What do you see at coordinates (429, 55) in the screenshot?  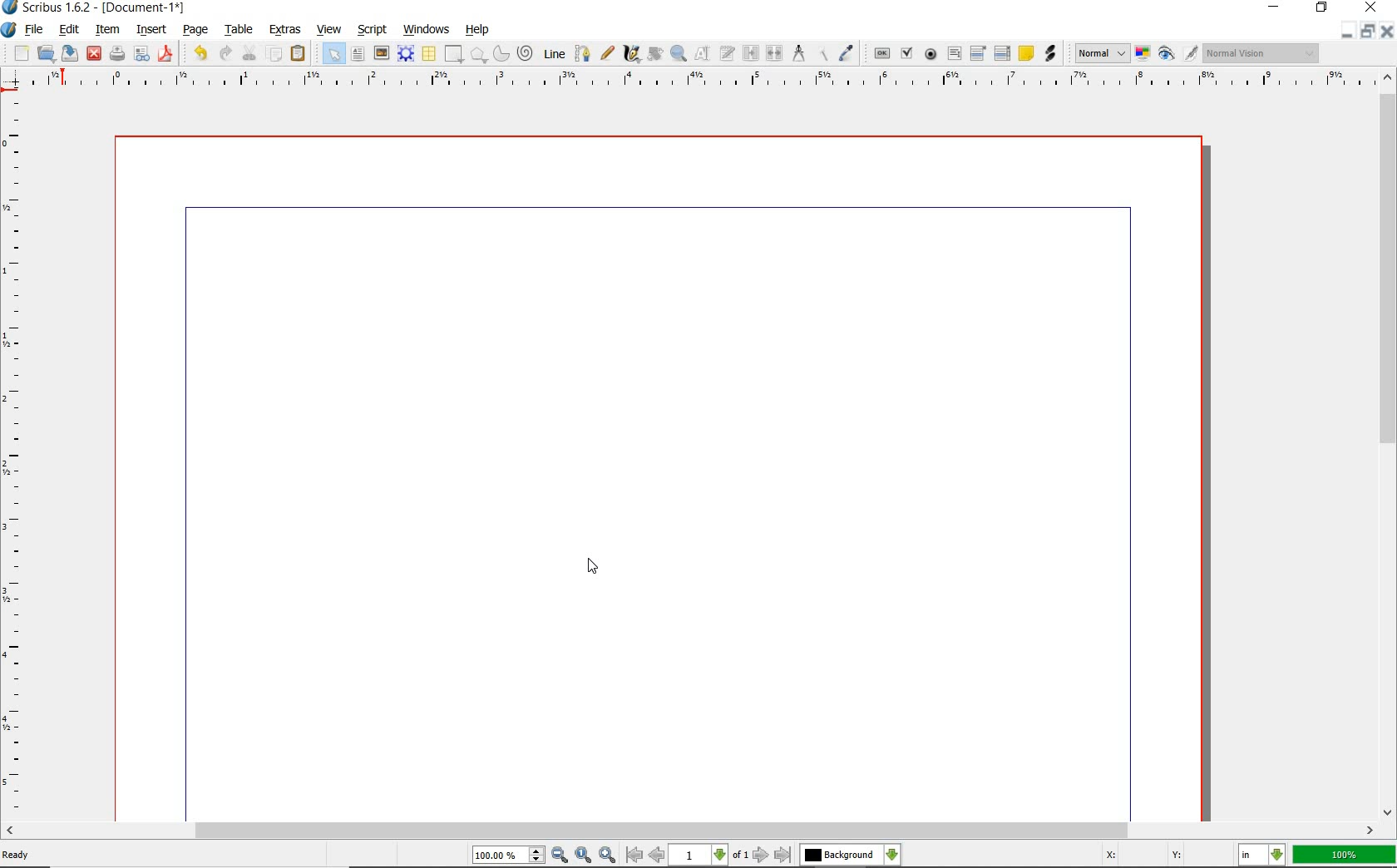 I see `table` at bounding box center [429, 55].